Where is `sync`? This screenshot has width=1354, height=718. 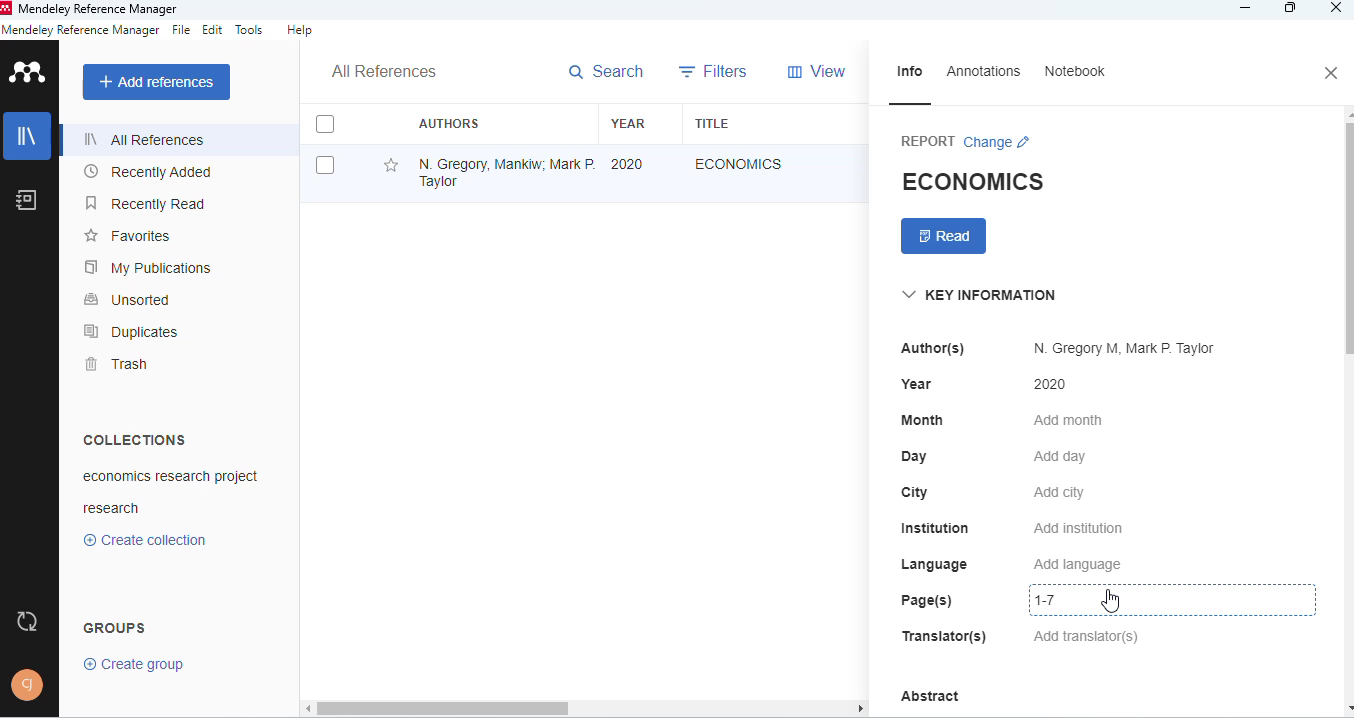 sync is located at coordinates (25, 621).